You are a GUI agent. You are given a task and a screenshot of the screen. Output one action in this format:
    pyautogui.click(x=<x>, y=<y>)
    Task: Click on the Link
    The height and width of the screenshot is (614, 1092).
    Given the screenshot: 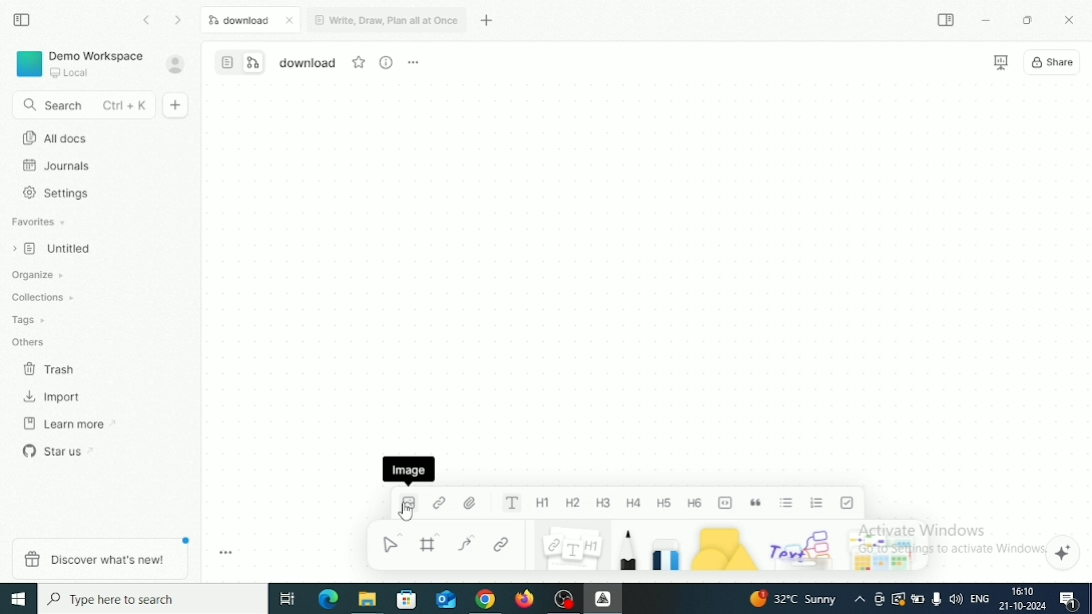 What is the action you would take?
    pyautogui.click(x=440, y=503)
    